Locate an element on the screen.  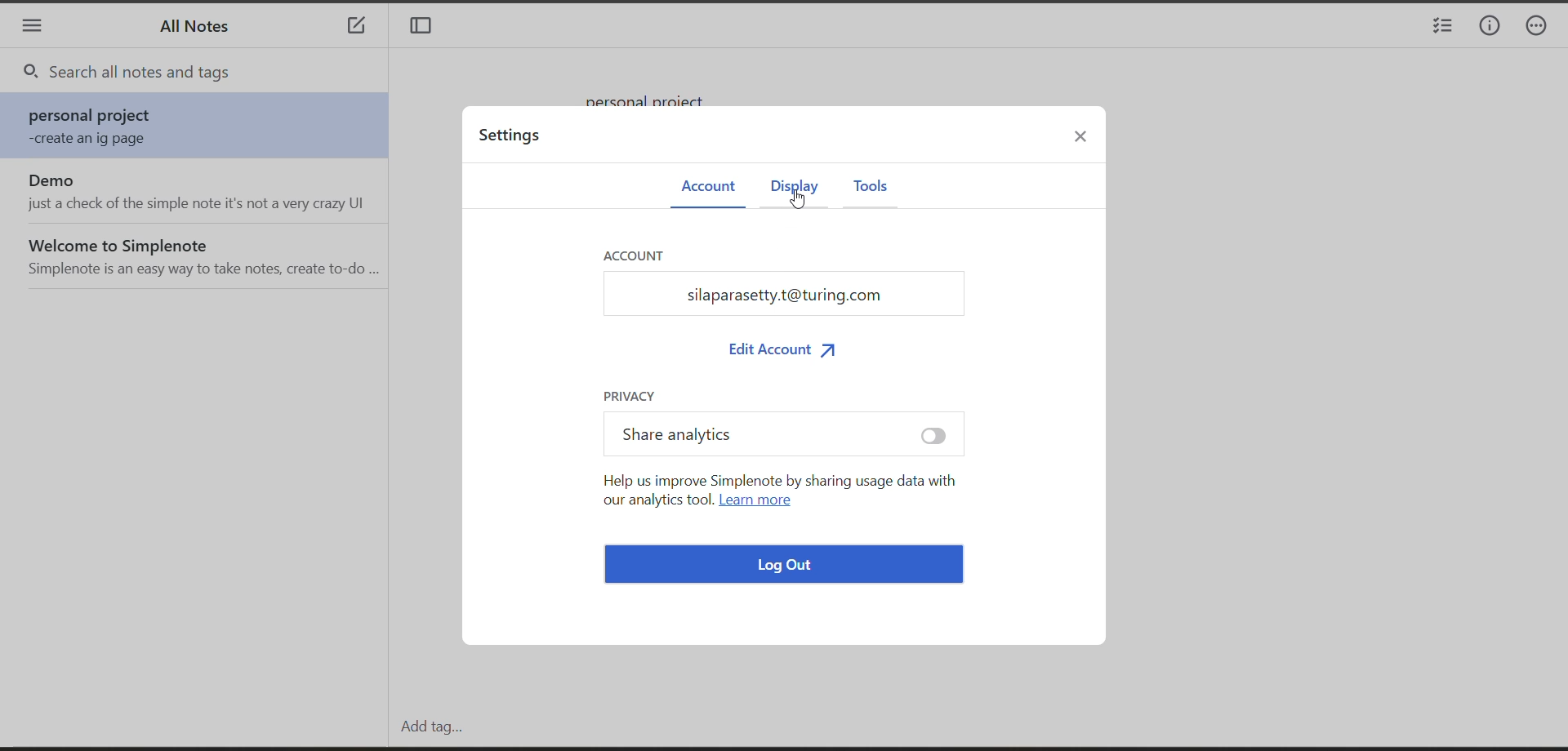
note 2 is located at coordinates (199, 192).